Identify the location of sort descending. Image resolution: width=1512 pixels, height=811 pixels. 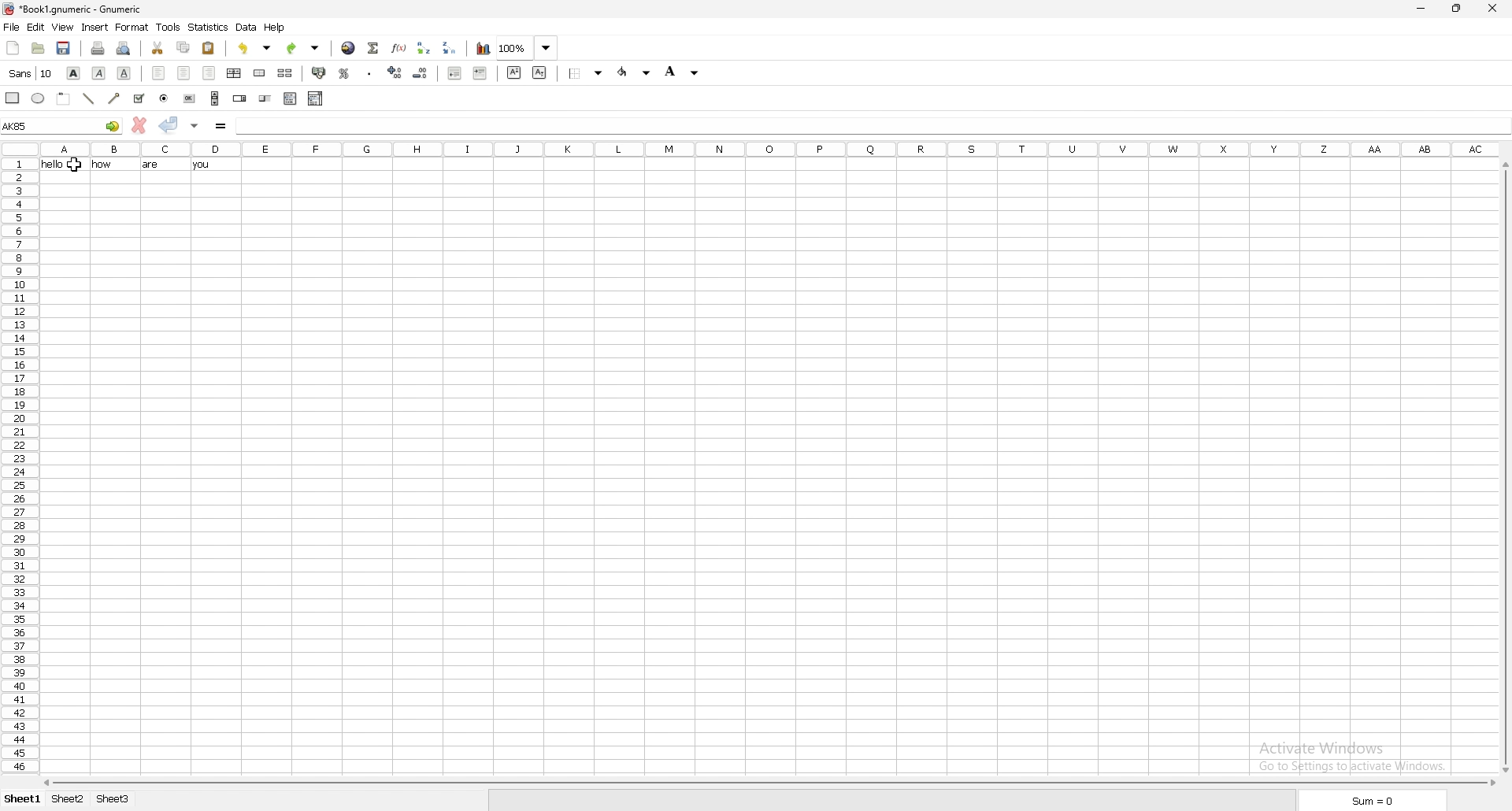
(452, 48).